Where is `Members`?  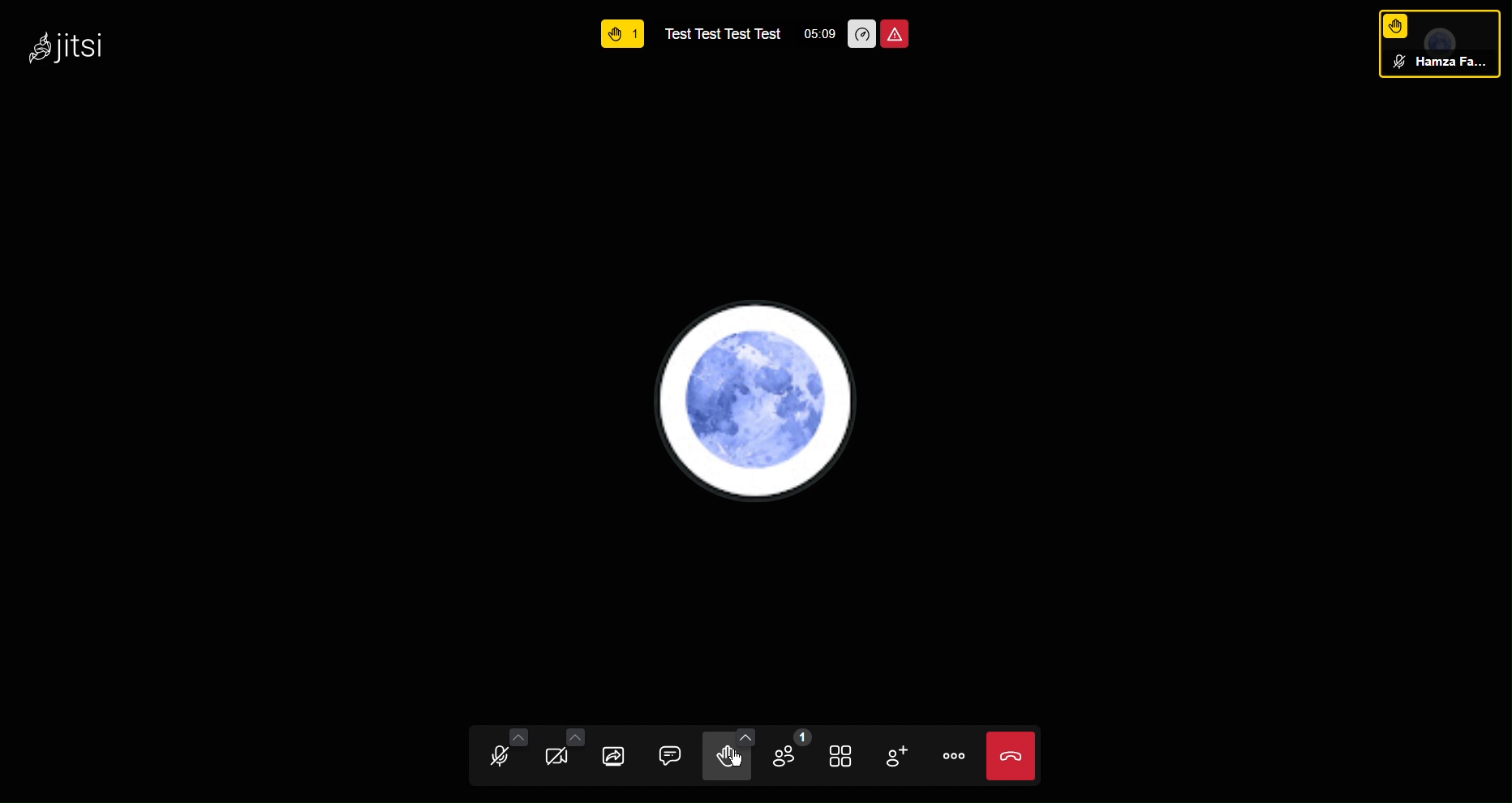 Members is located at coordinates (793, 757).